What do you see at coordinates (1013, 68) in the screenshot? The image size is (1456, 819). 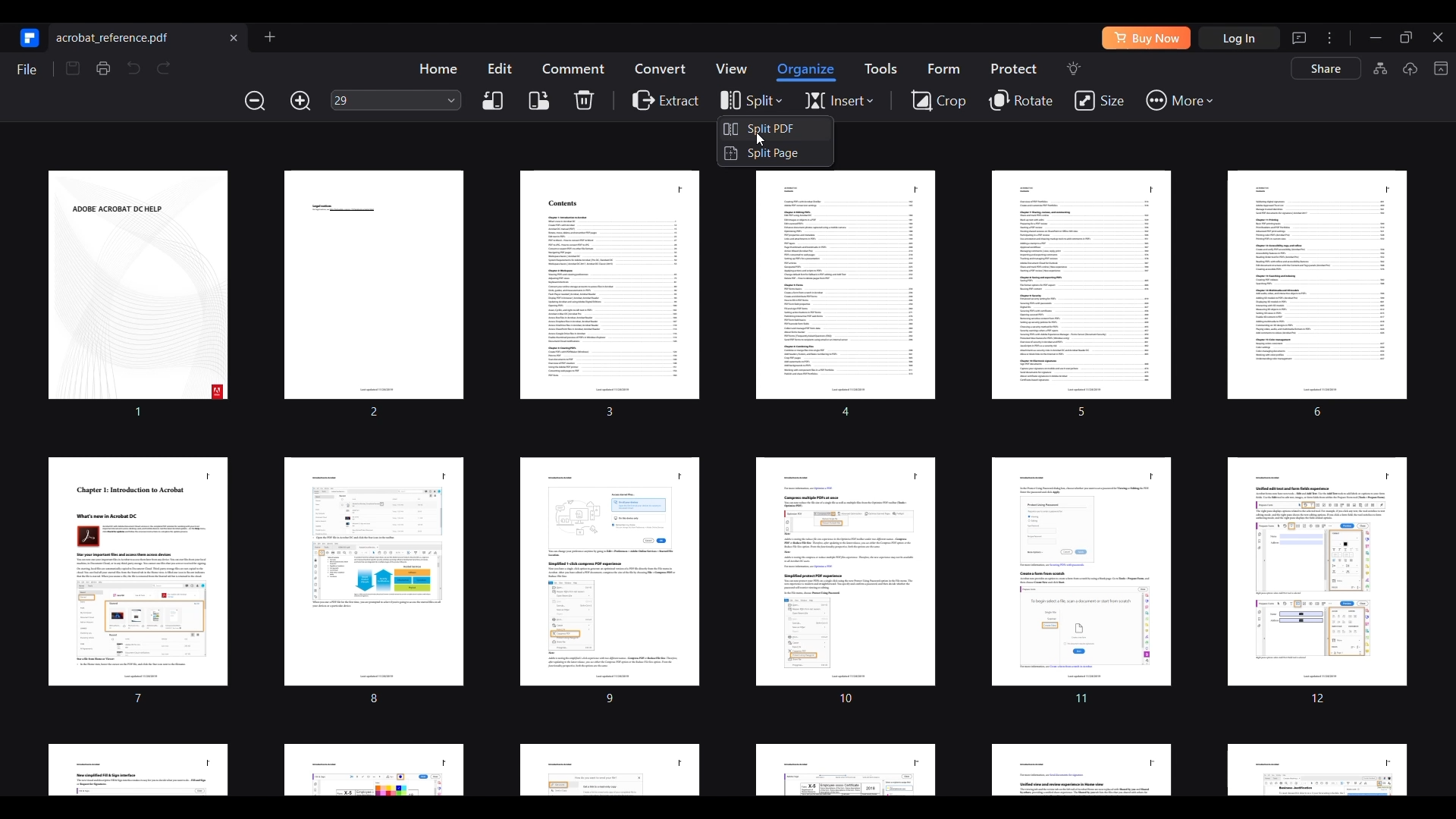 I see `Protect` at bounding box center [1013, 68].